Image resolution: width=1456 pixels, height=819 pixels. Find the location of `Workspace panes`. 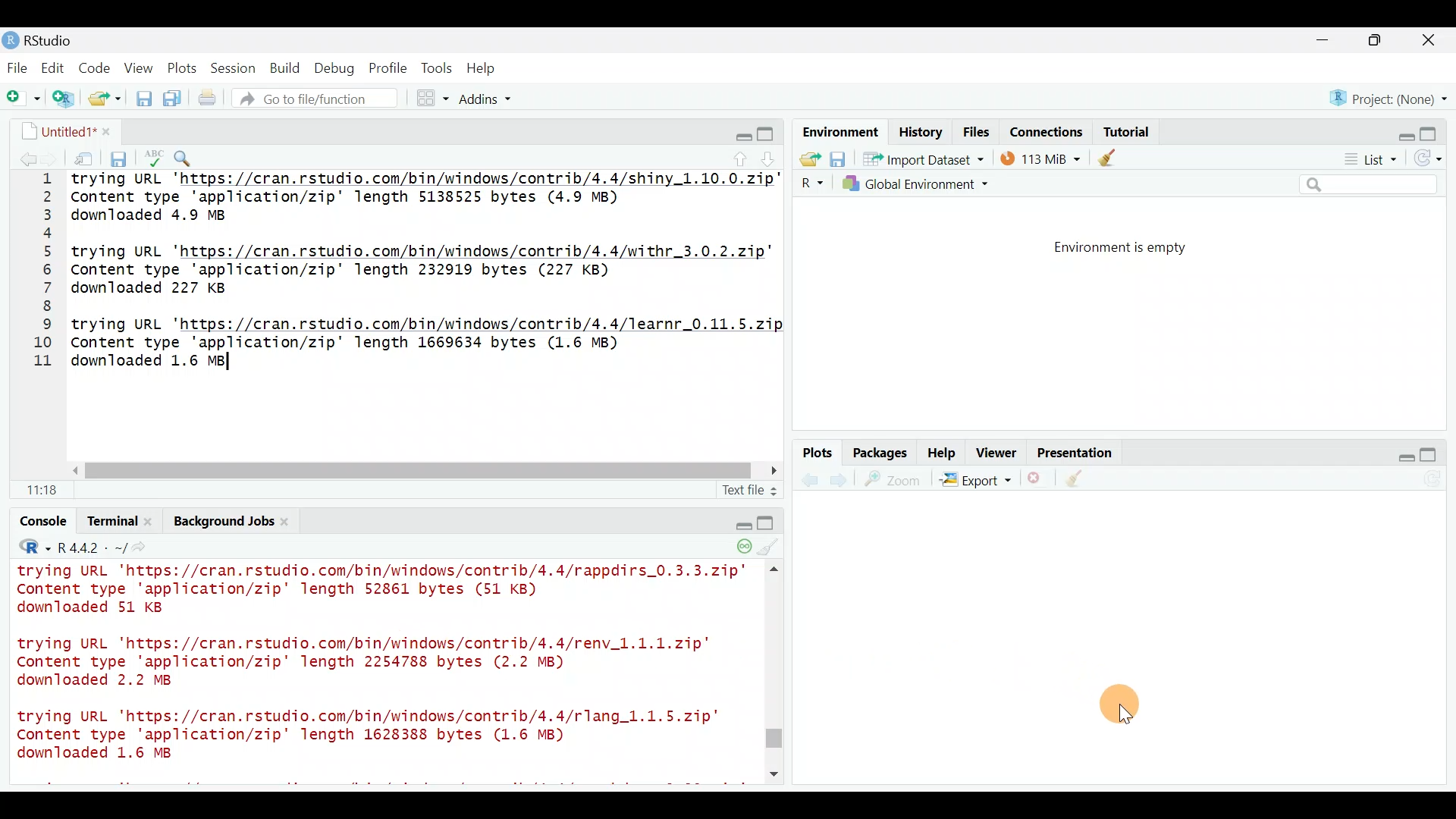

Workspace panes is located at coordinates (434, 99).